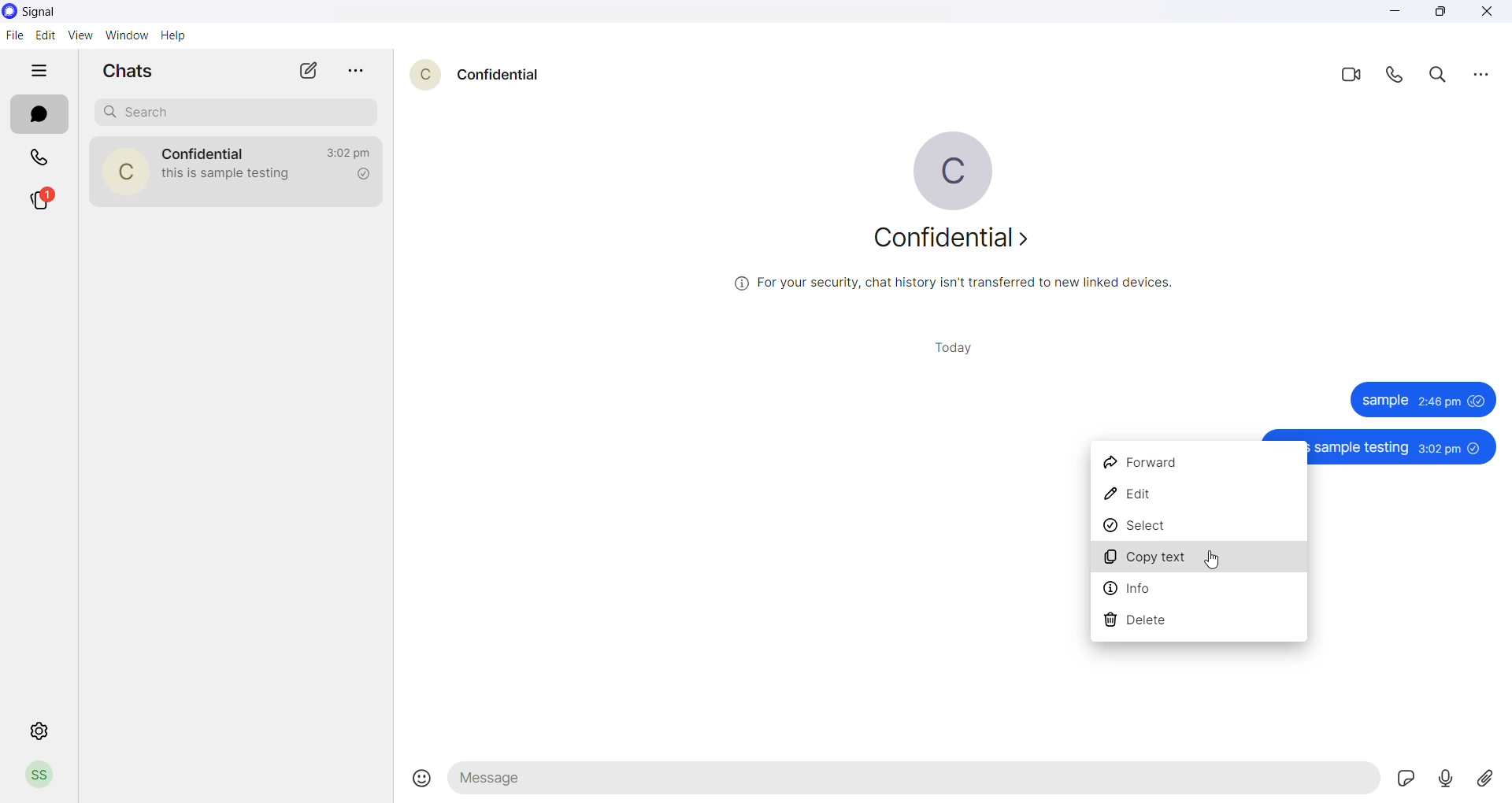 The width and height of the screenshot is (1512, 803). What do you see at coordinates (37, 115) in the screenshot?
I see `chats` at bounding box center [37, 115].